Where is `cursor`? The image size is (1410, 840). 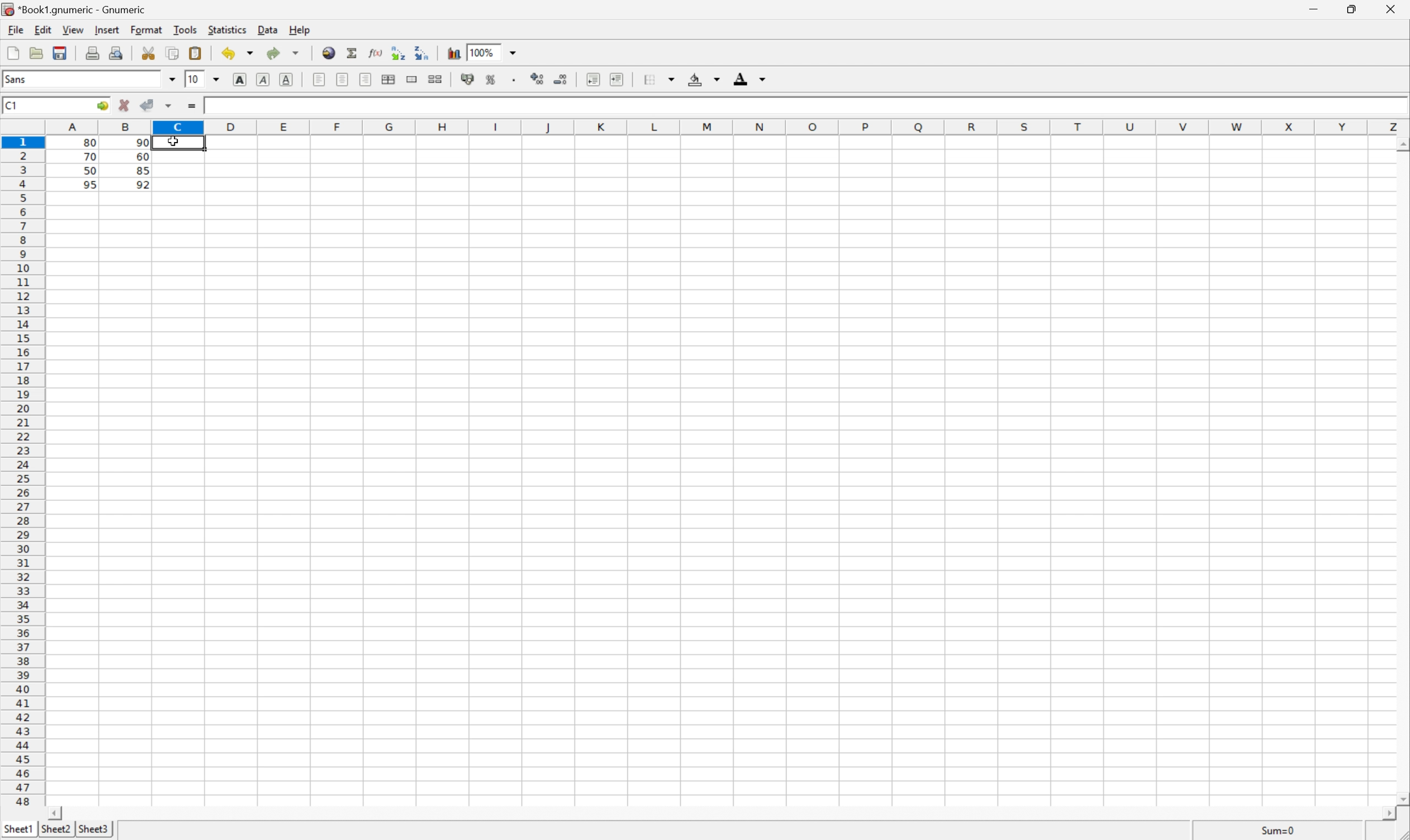
cursor is located at coordinates (174, 142).